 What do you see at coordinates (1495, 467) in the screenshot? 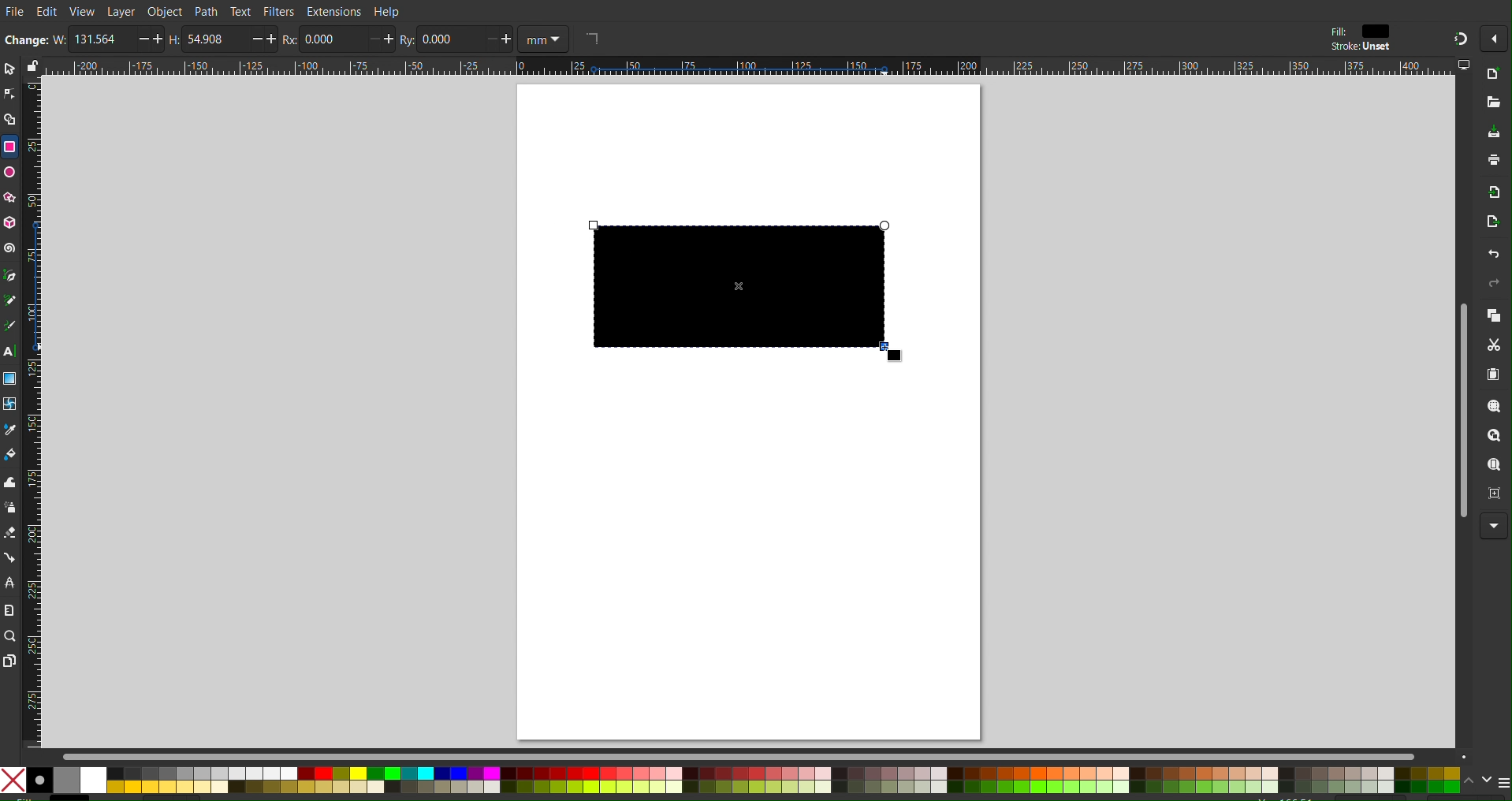
I see `Zoom Page` at bounding box center [1495, 467].